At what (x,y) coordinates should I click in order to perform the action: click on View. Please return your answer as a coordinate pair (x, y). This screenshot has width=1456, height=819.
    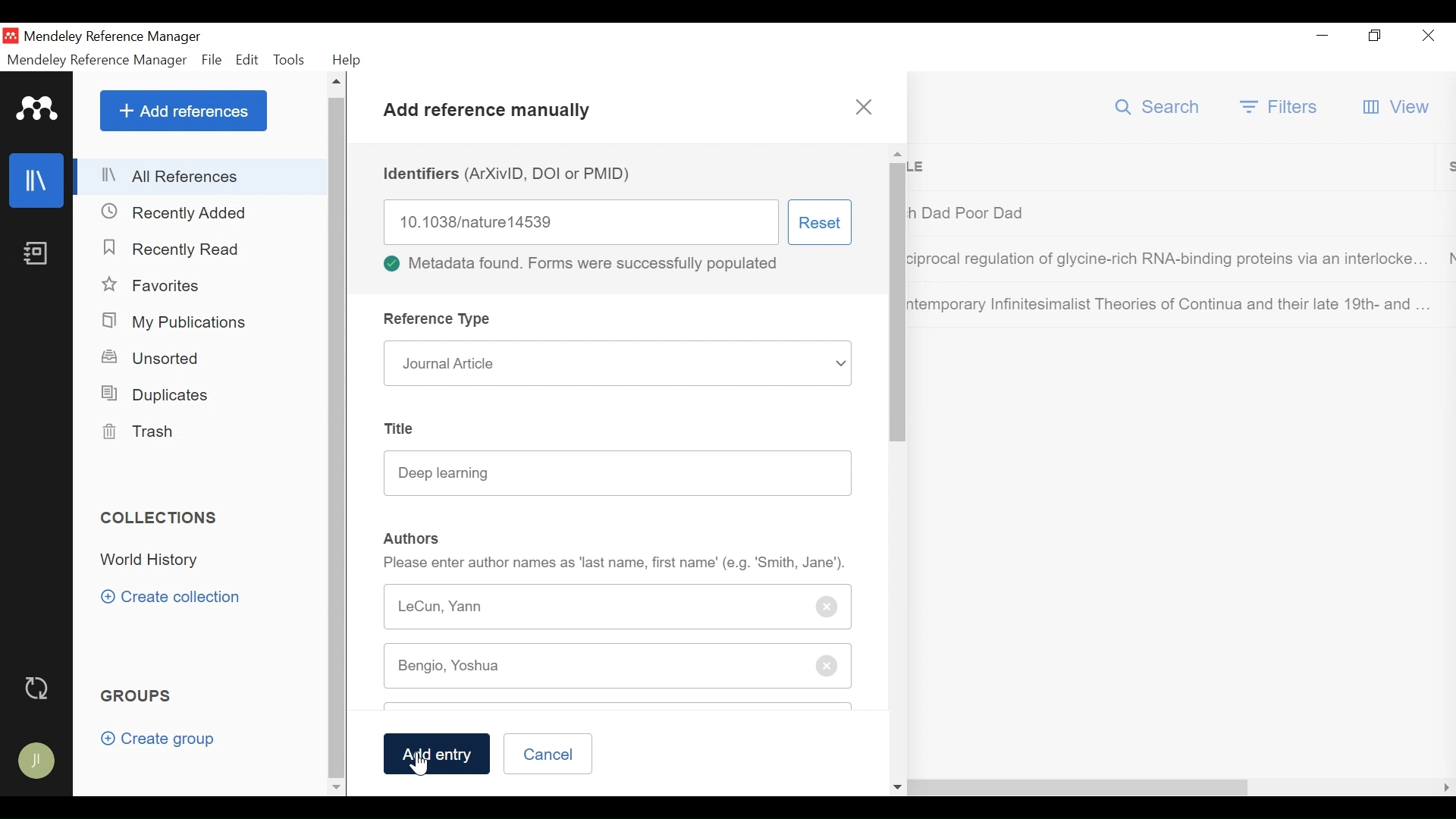
    Looking at the image, I should click on (1401, 106).